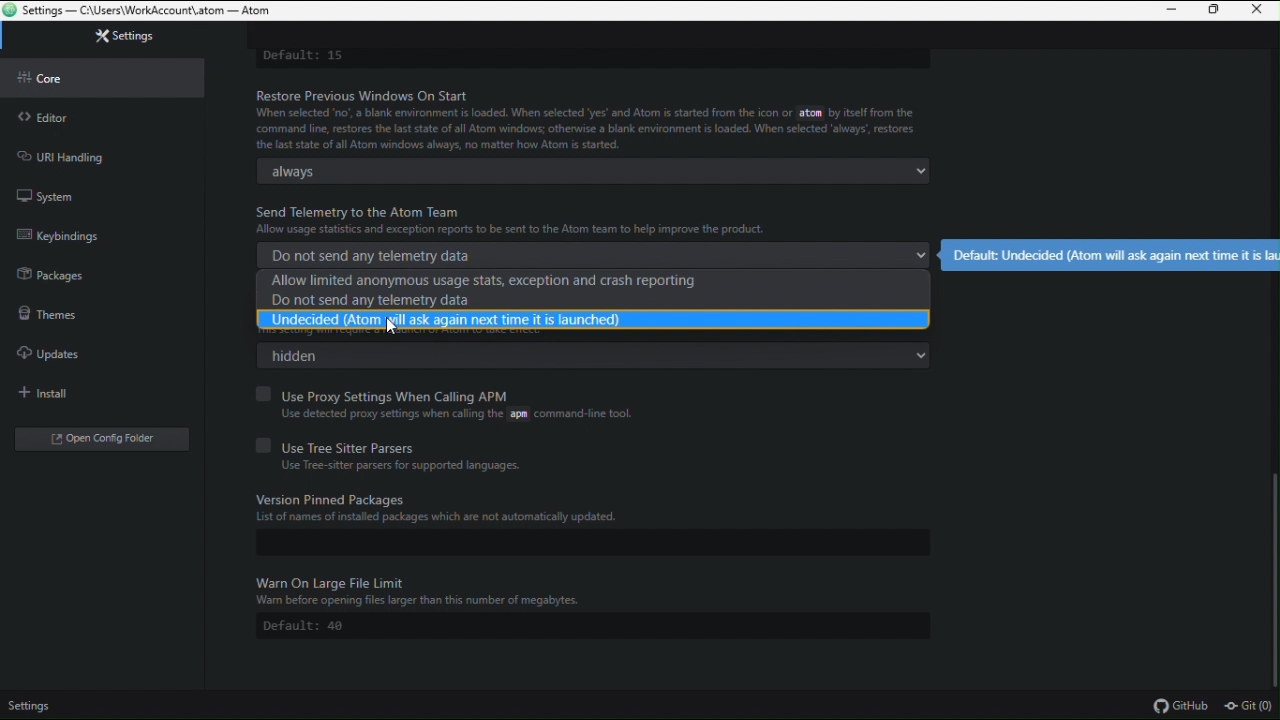 The width and height of the screenshot is (1280, 720). Describe the element at coordinates (1171, 12) in the screenshot. I see `minimise` at that location.